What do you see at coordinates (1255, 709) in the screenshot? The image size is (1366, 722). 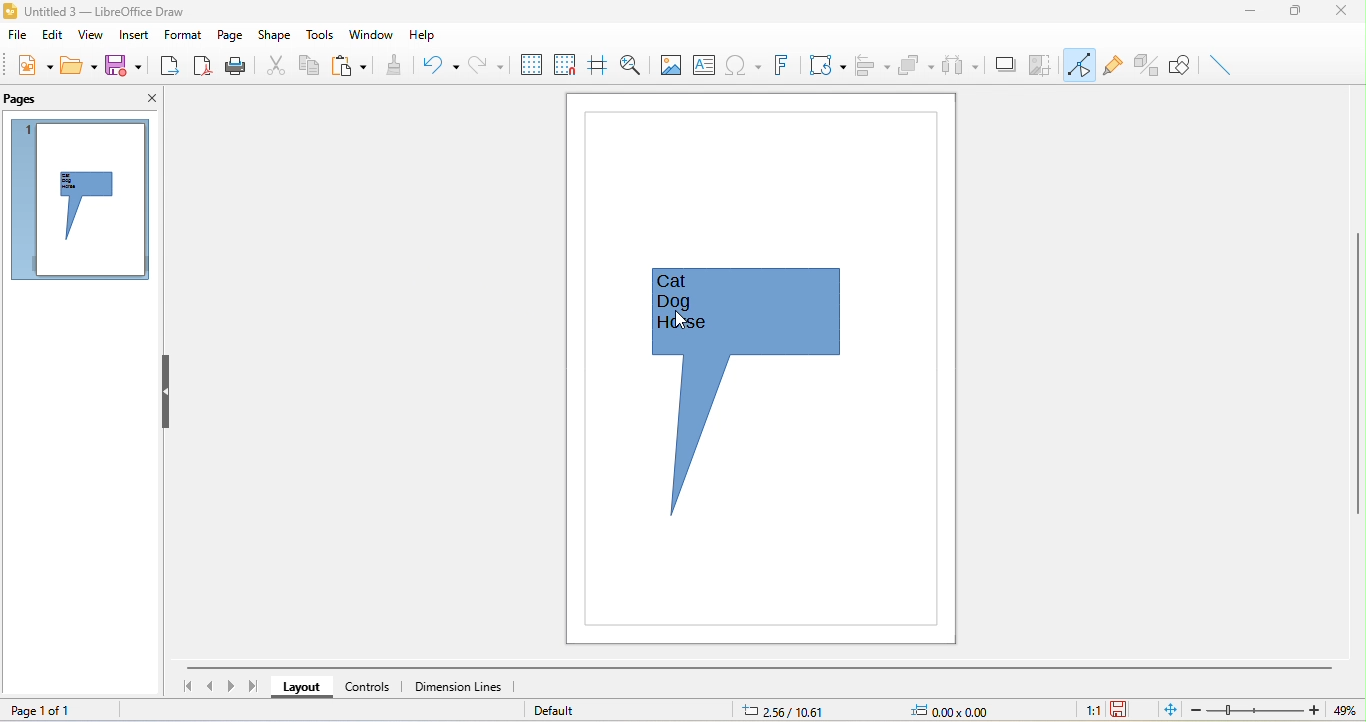 I see `zoom bar` at bounding box center [1255, 709].